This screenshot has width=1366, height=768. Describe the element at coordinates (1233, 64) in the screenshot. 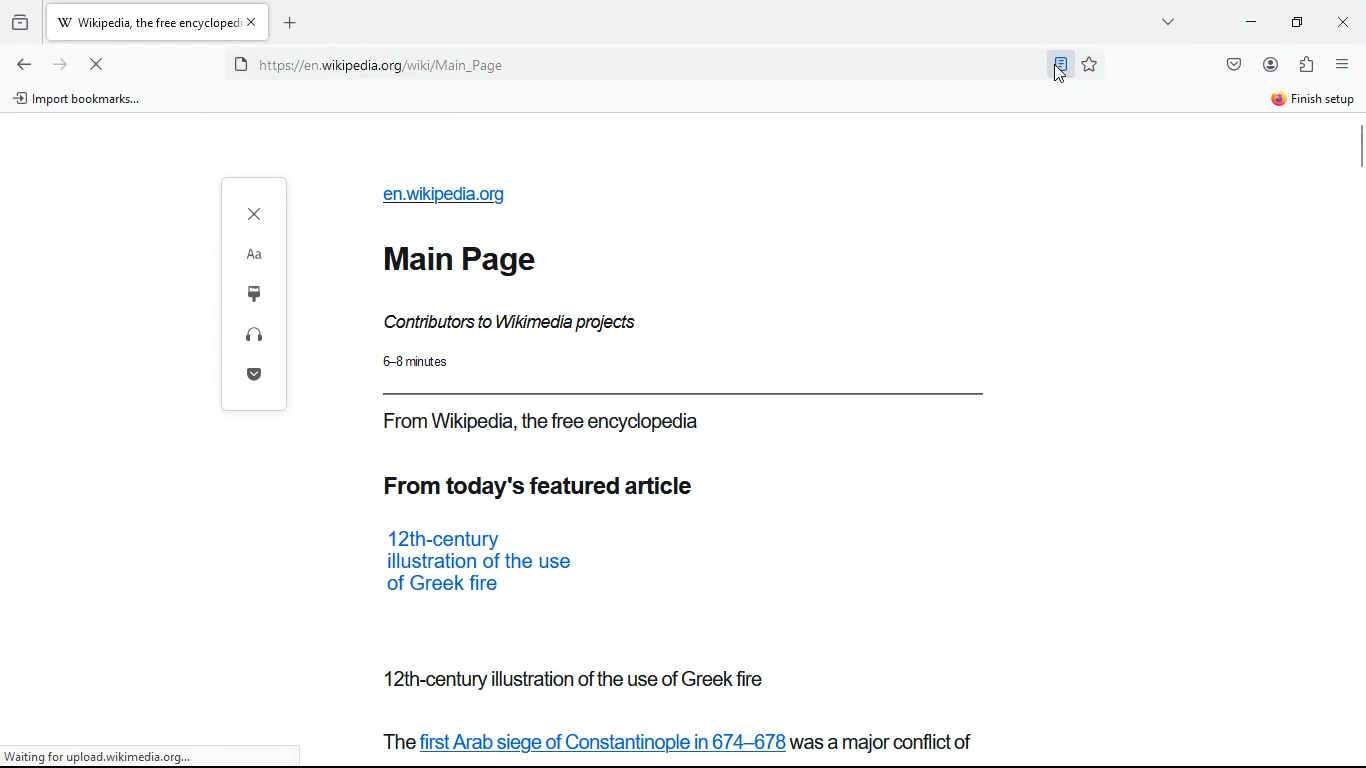

I see `save` at that location.